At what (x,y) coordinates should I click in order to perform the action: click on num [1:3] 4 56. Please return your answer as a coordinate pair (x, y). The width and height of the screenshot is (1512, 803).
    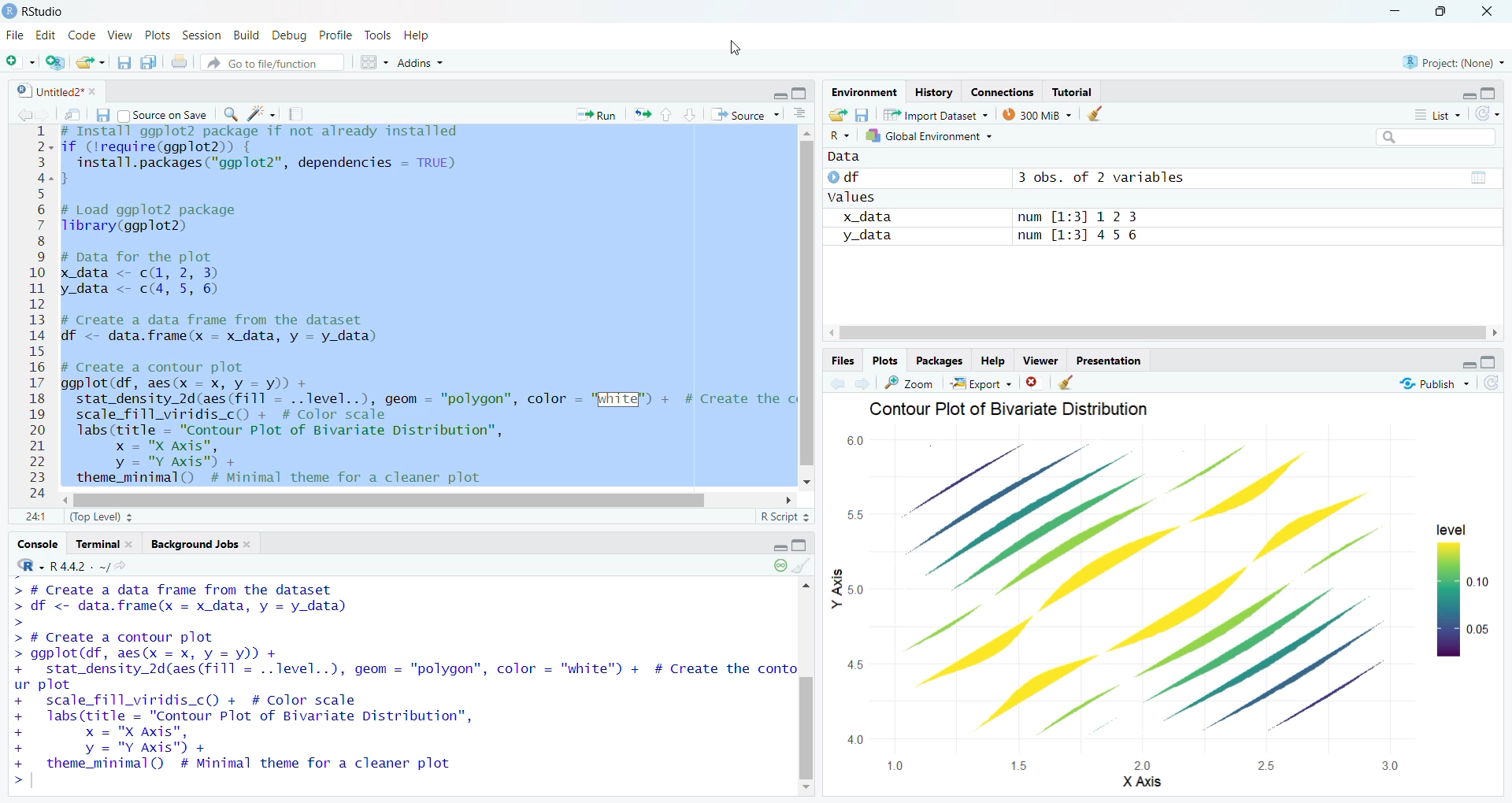
    Looking at the image, I should click on (1083, 236).